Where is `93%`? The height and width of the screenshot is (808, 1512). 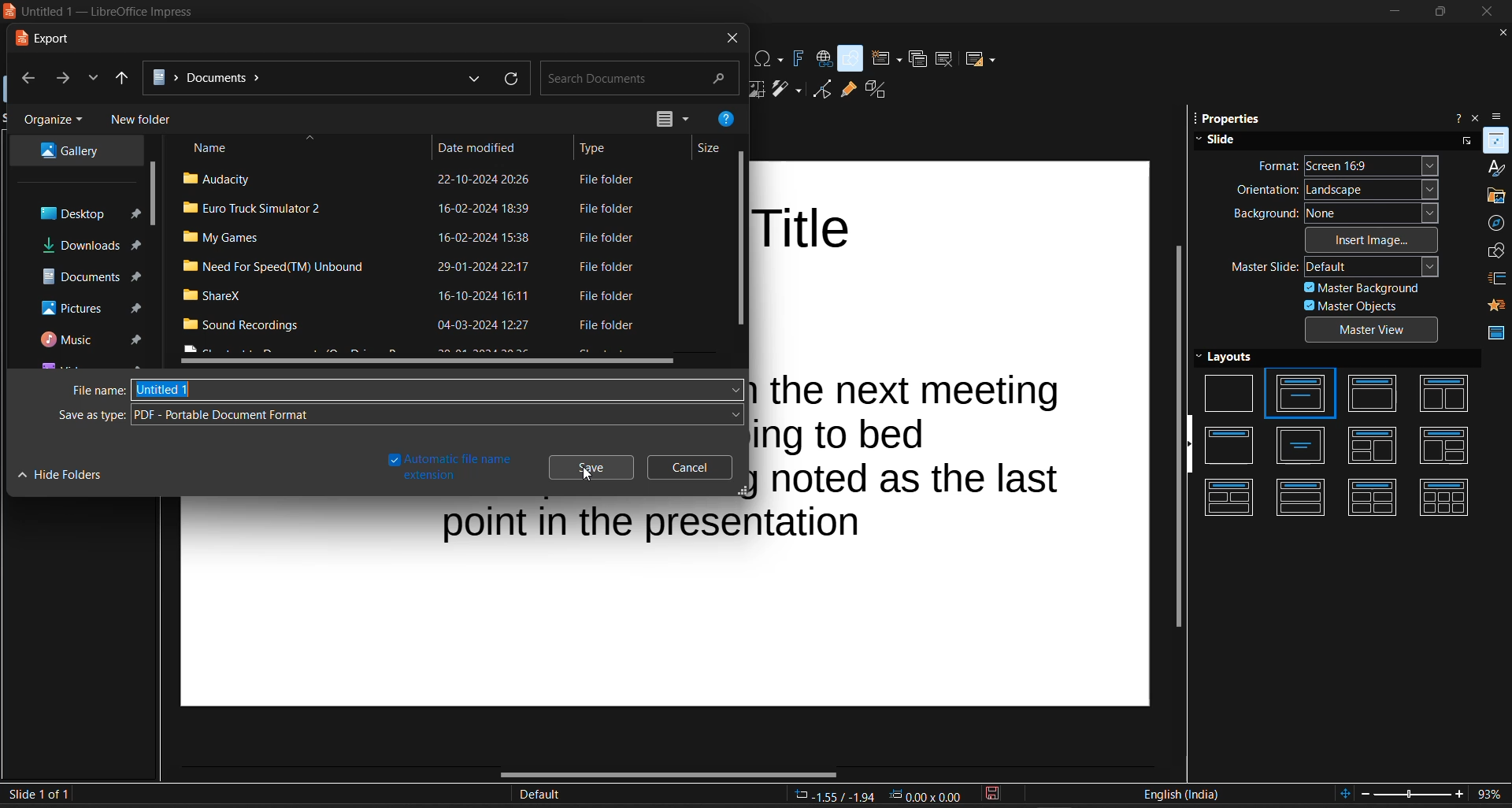 93% is located at coordinates (1494, 795).